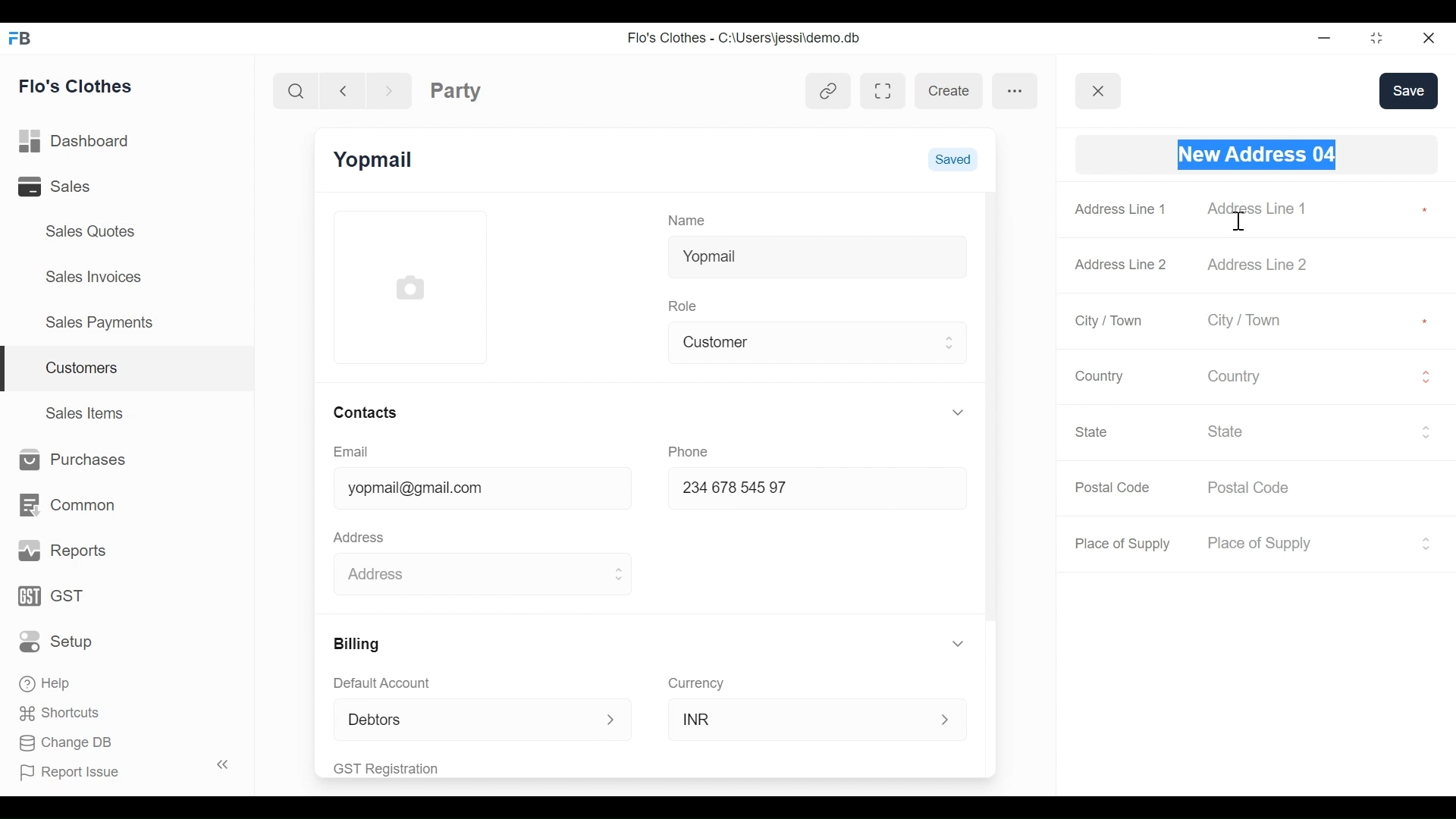  What do you see at coordinates (98, 322) in the screenshot?
I see `Sales Payments` at bounding box center [98, 322].